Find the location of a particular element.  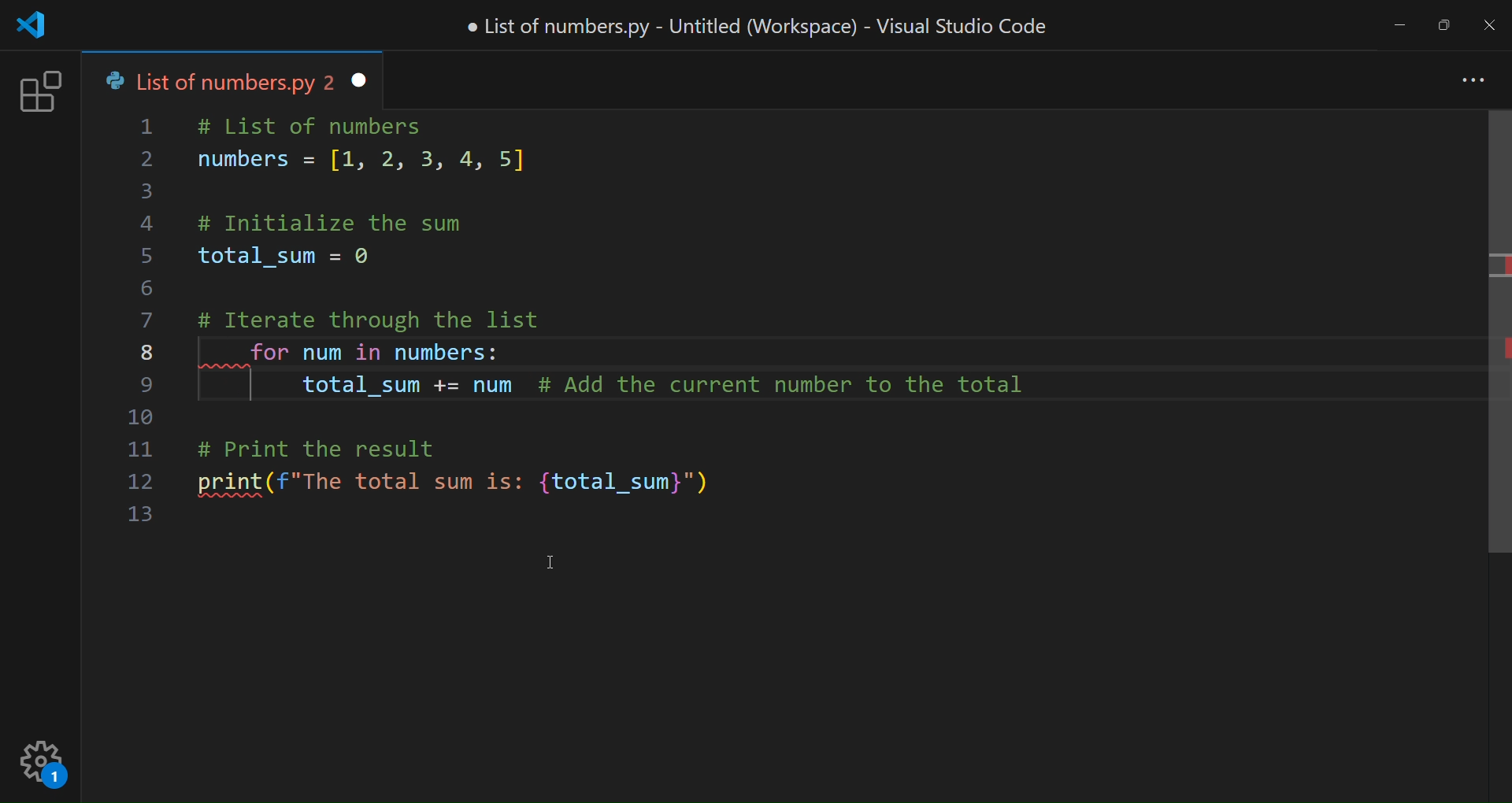

setting is located at coordinates (43, 768).